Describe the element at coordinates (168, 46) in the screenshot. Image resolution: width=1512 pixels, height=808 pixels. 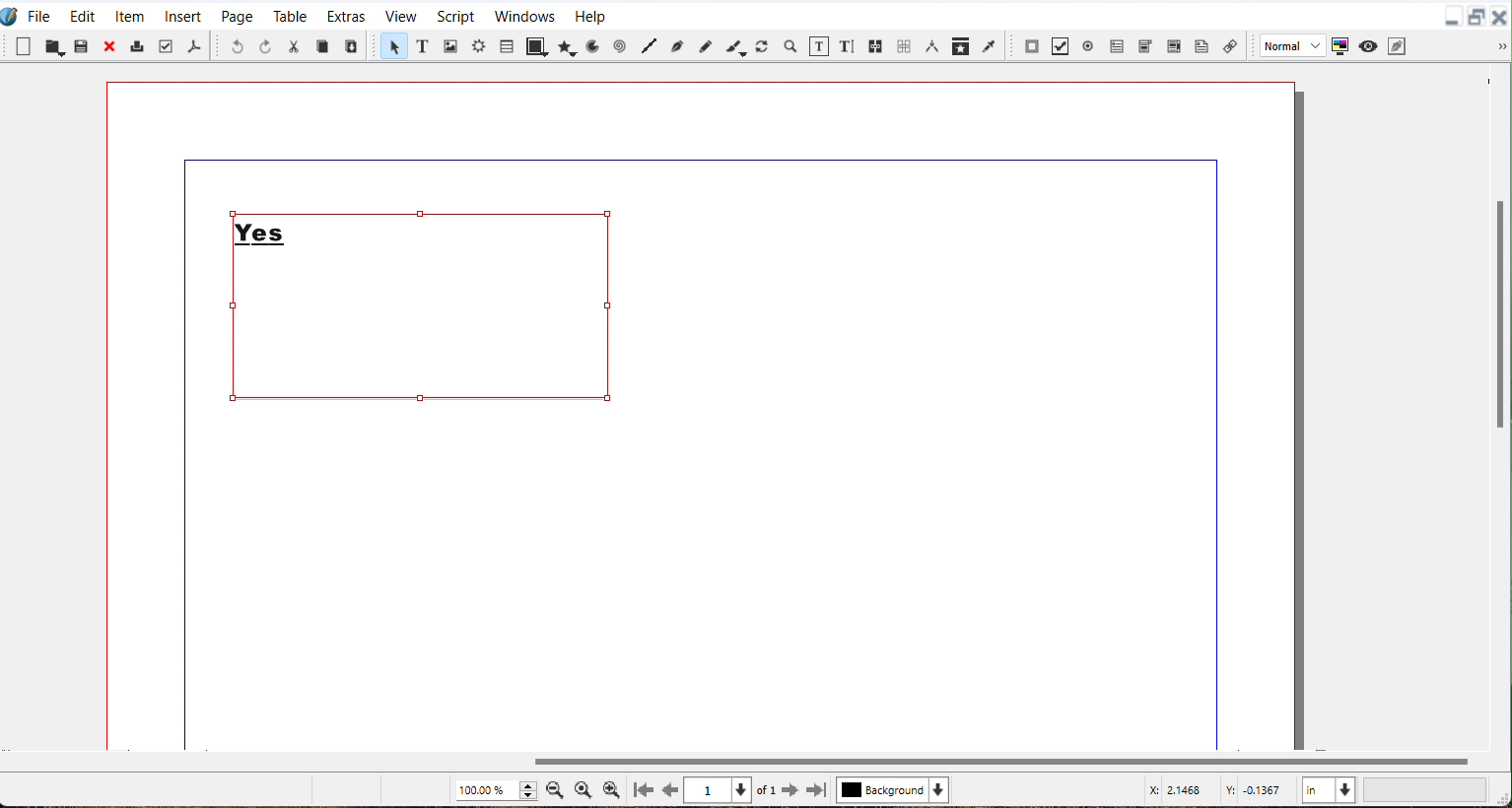
I see `Preflight verifier` at that location.